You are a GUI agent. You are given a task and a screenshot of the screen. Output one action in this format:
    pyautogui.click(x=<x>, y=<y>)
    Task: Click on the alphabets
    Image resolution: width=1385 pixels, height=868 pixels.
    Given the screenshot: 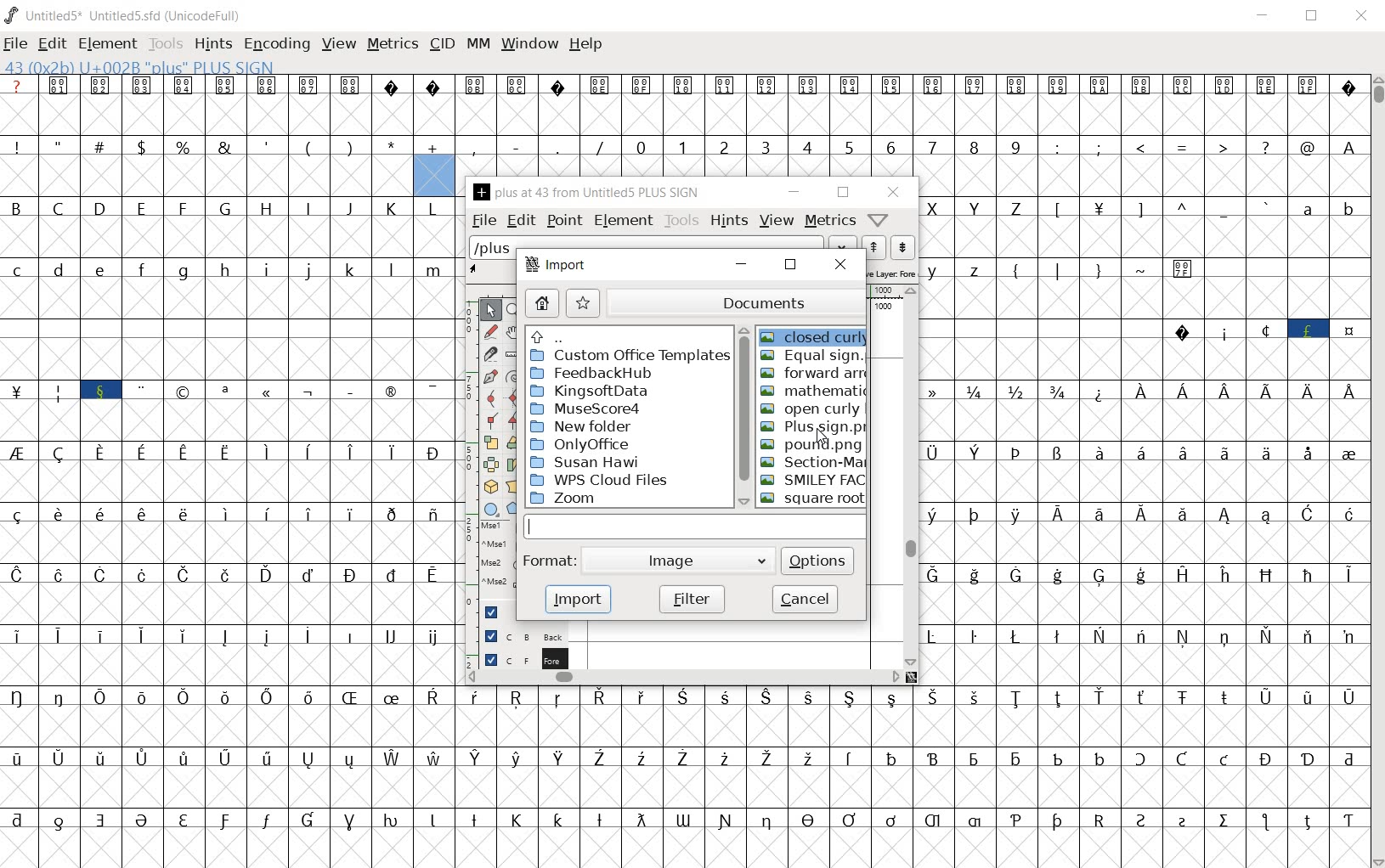 What is the action you would take?
    pyautogui.click(x=227, y=289)
    